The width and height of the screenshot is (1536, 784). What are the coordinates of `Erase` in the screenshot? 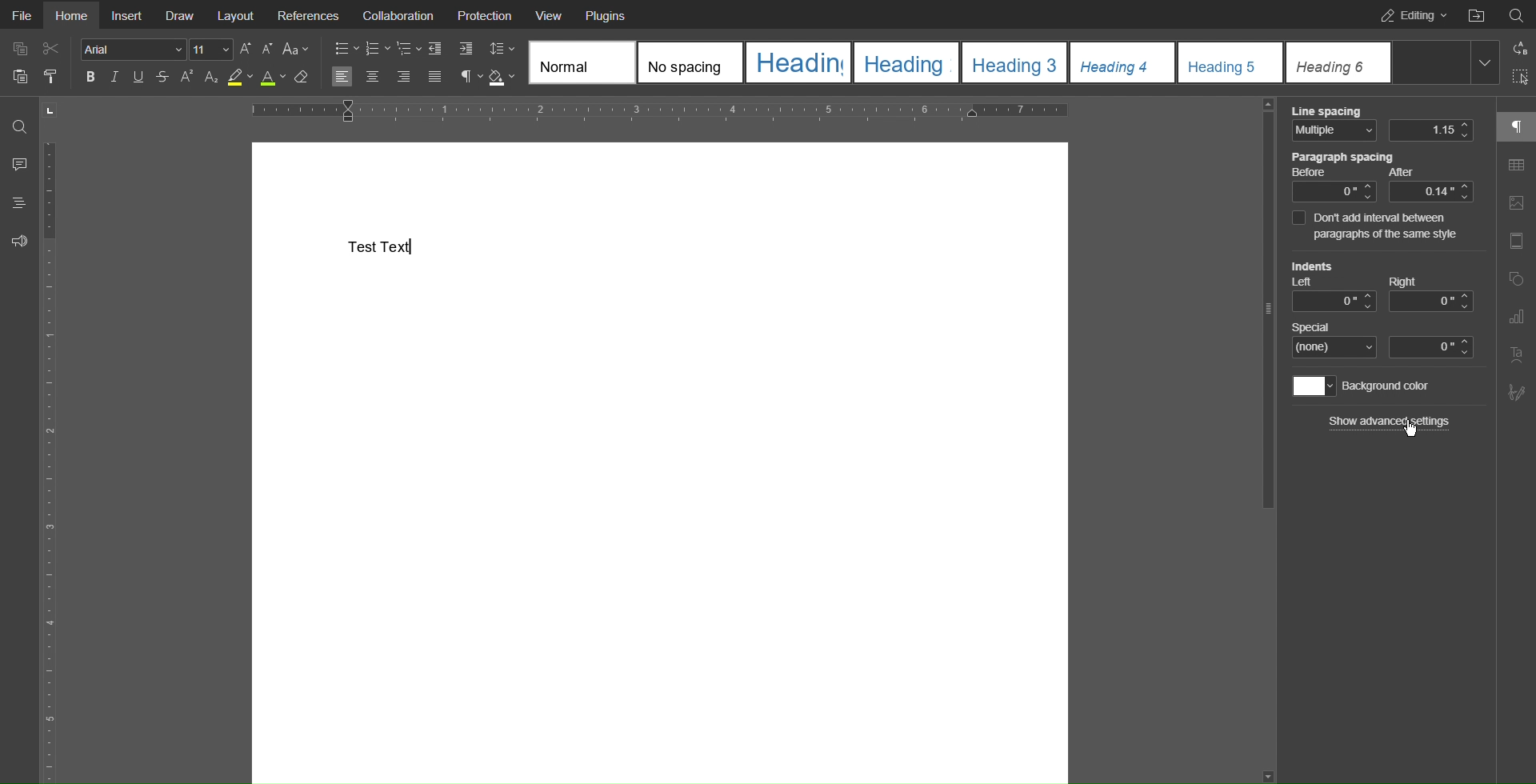 It's located at (302, 78).